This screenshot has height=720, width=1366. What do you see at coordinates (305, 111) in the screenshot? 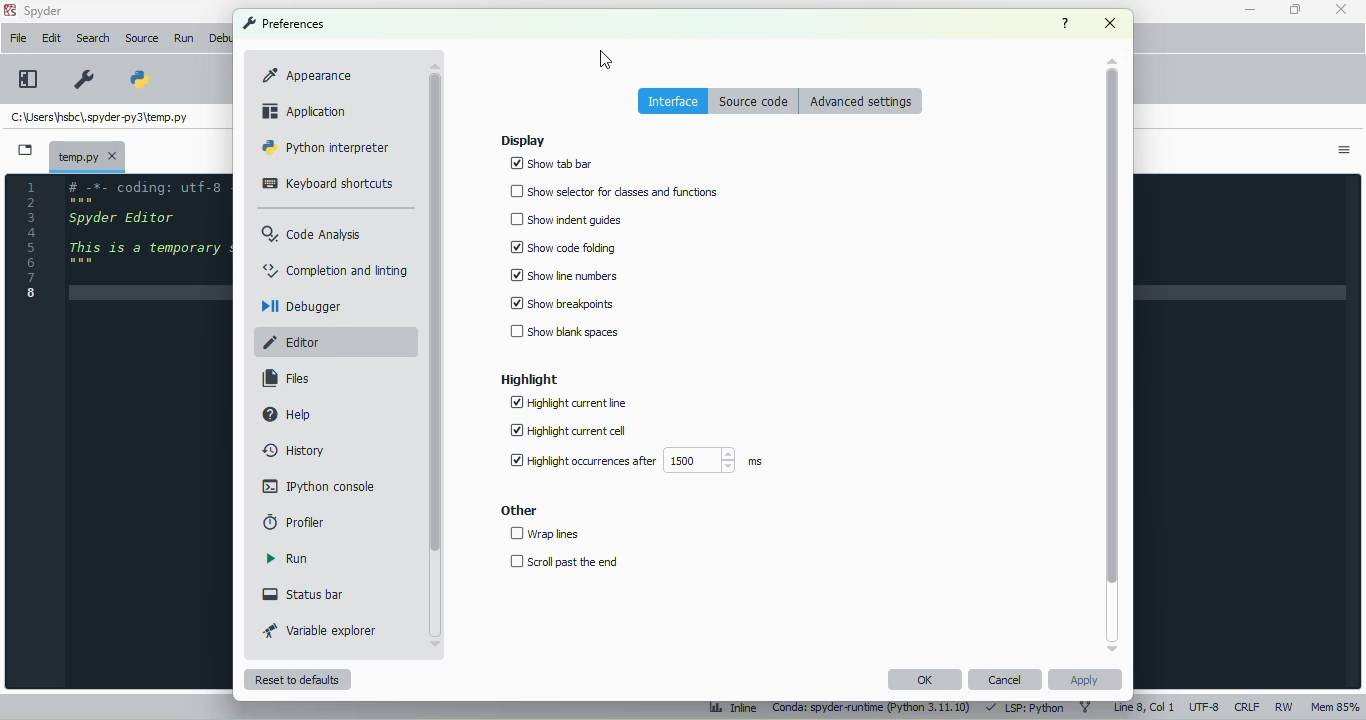
I see `application` at bounding box center [305, 111].